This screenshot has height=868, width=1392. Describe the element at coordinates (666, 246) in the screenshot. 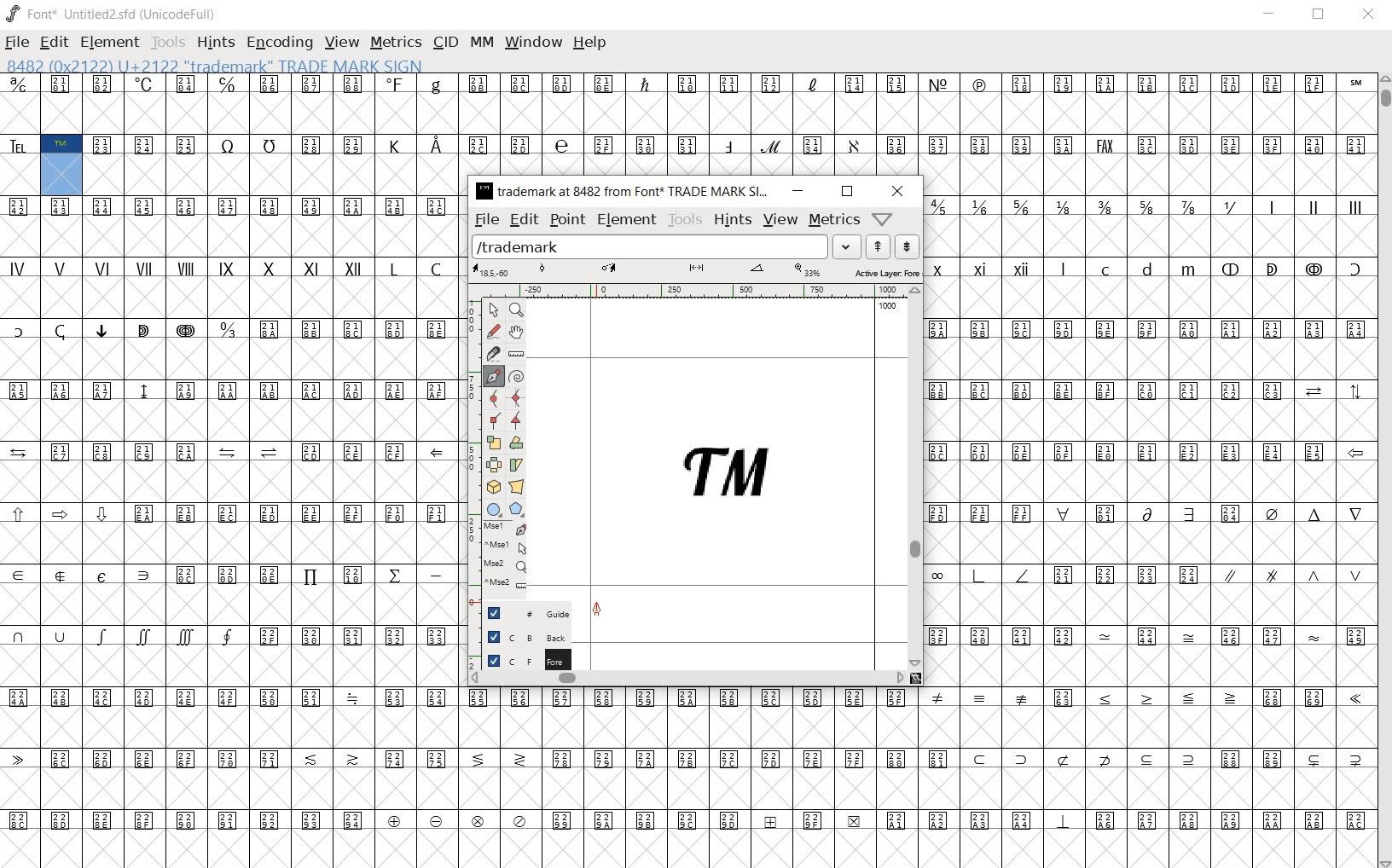

I see `load word list` at that location.